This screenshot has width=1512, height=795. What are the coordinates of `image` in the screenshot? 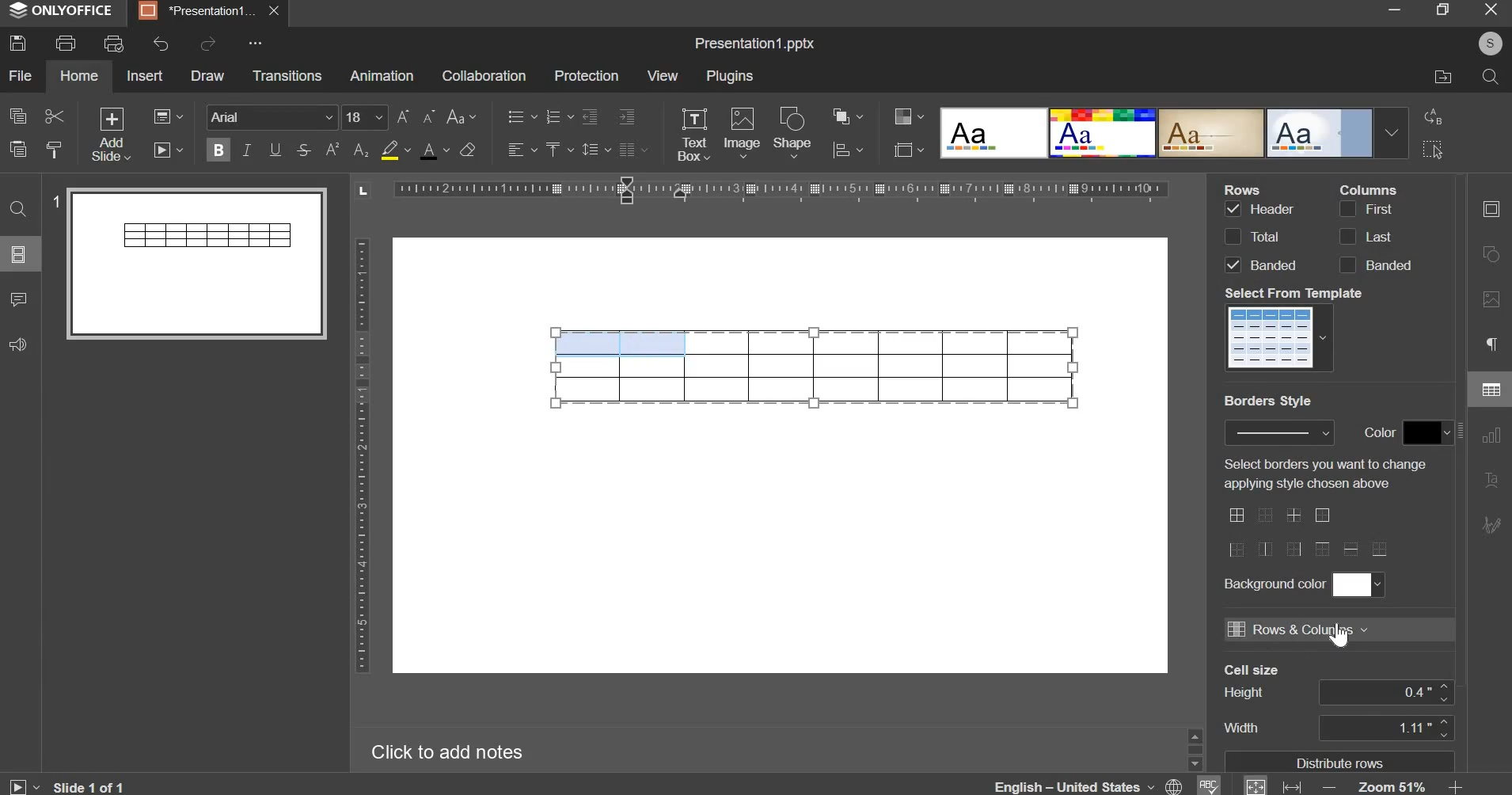 It's located at (742, 131).